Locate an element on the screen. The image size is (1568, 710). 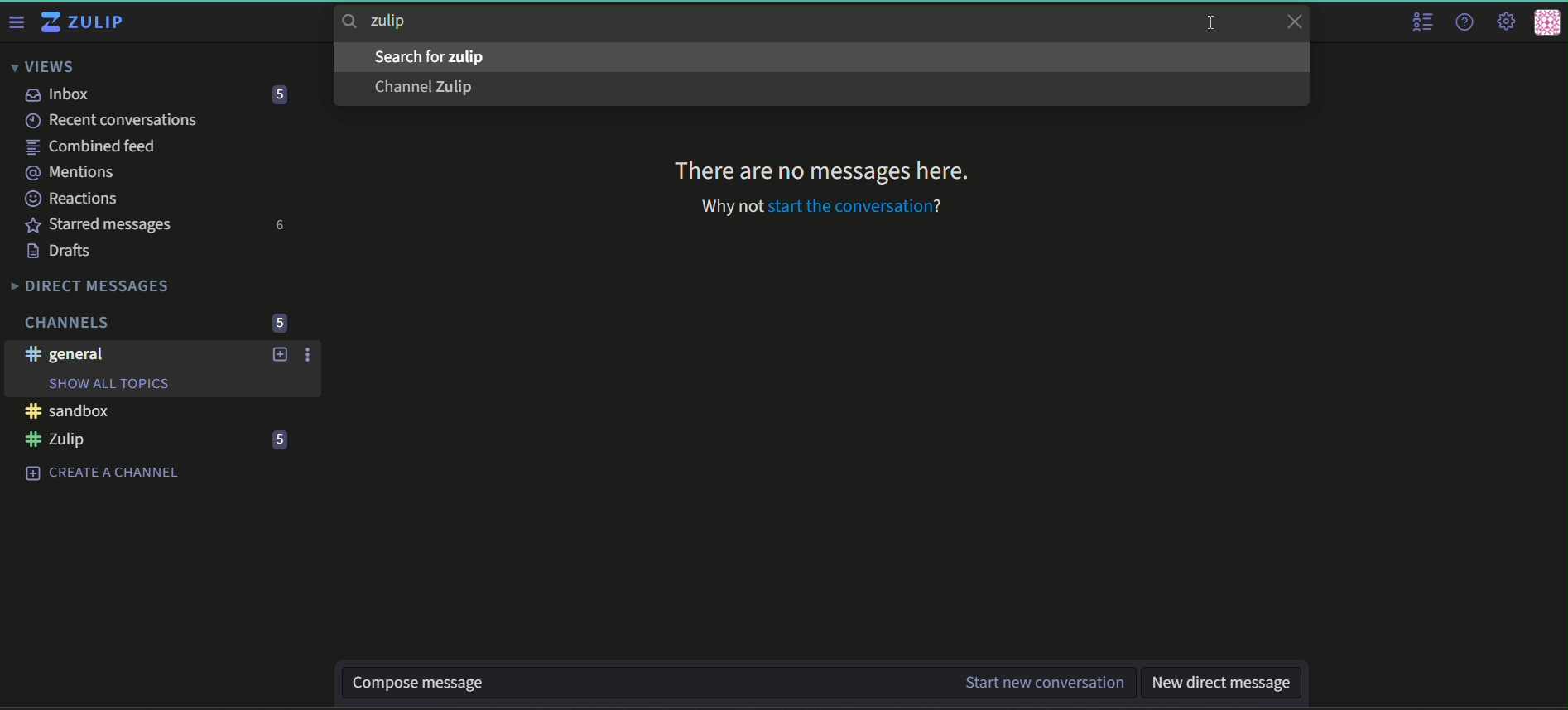
cursor is located at coordinates (1211, 22).